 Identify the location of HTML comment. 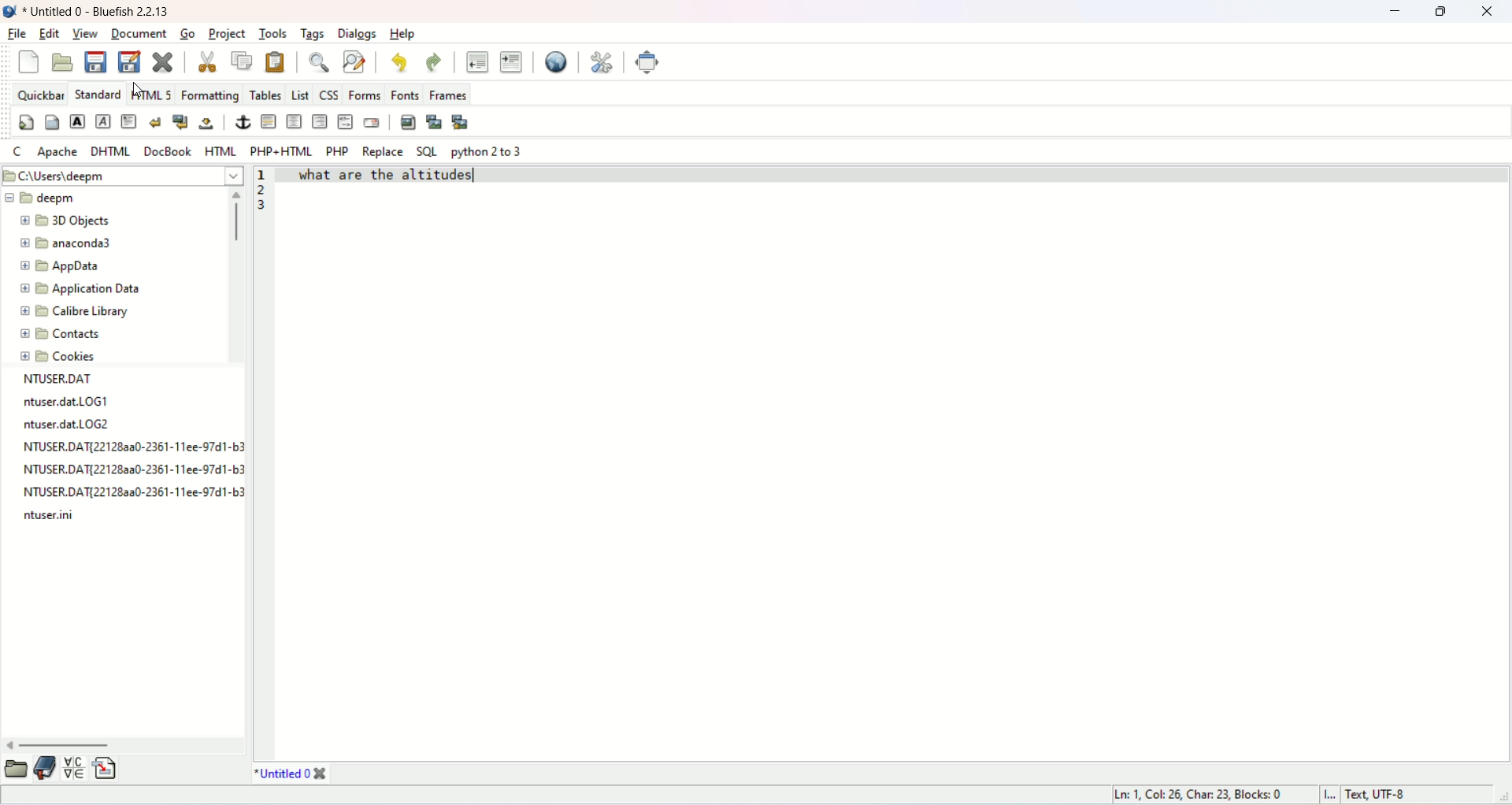
(346, 121).